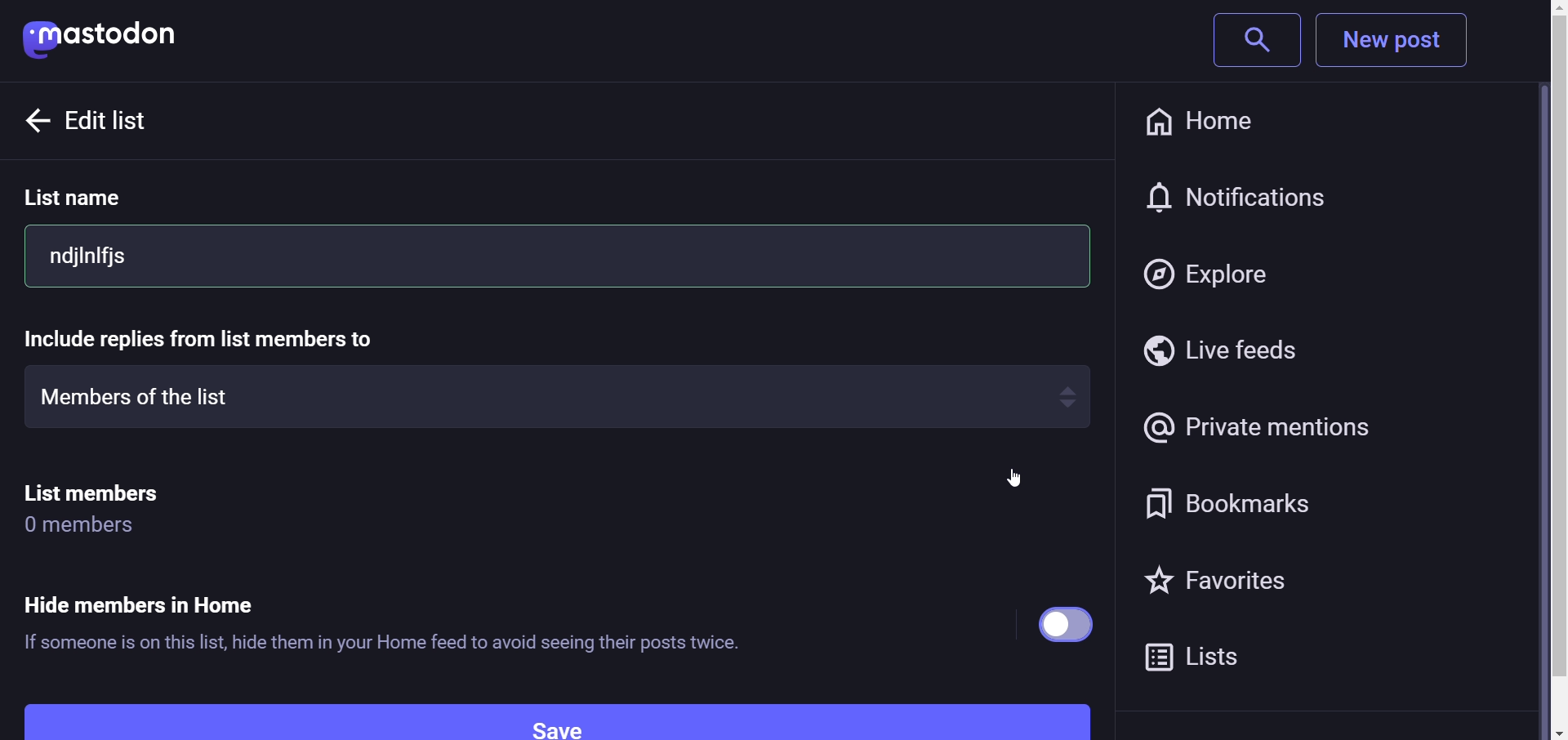 Image resolution: width=1568 pixels, height=740 pixels. What do you see at coordinates (558, 256) in the screenshot?
I see `ndjlnlfjs` at bounding box center [558, 256].